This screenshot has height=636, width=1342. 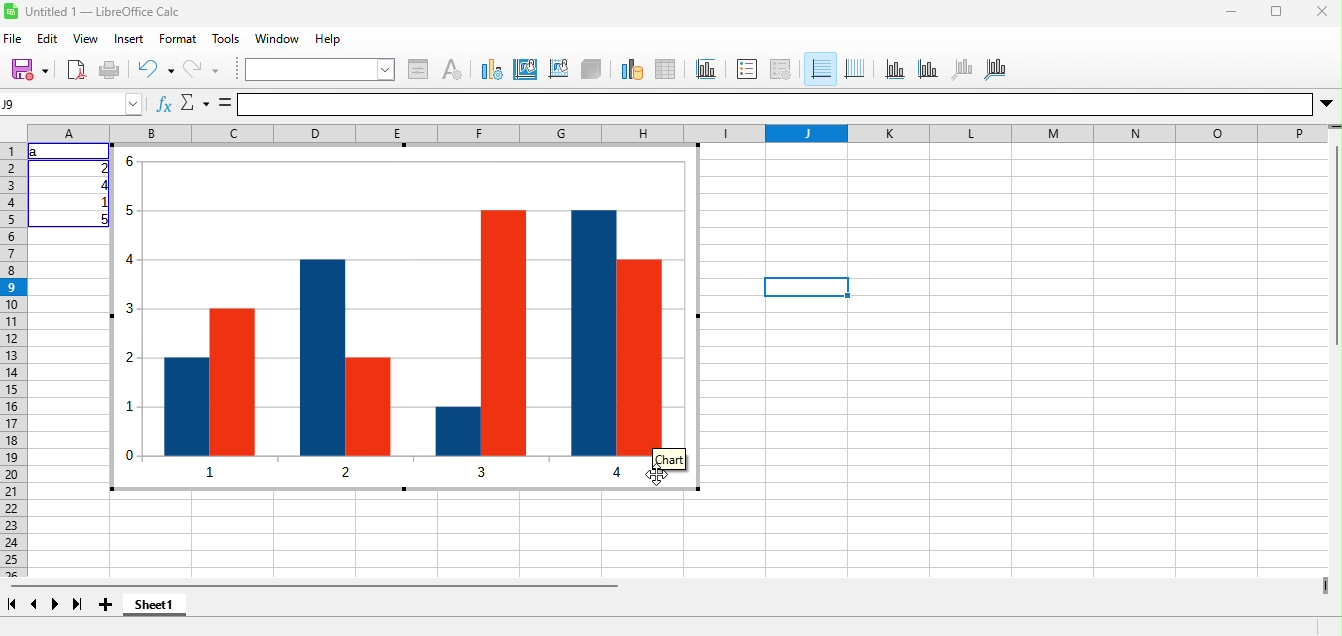 I want to click on character, so click(x=453, y=70).